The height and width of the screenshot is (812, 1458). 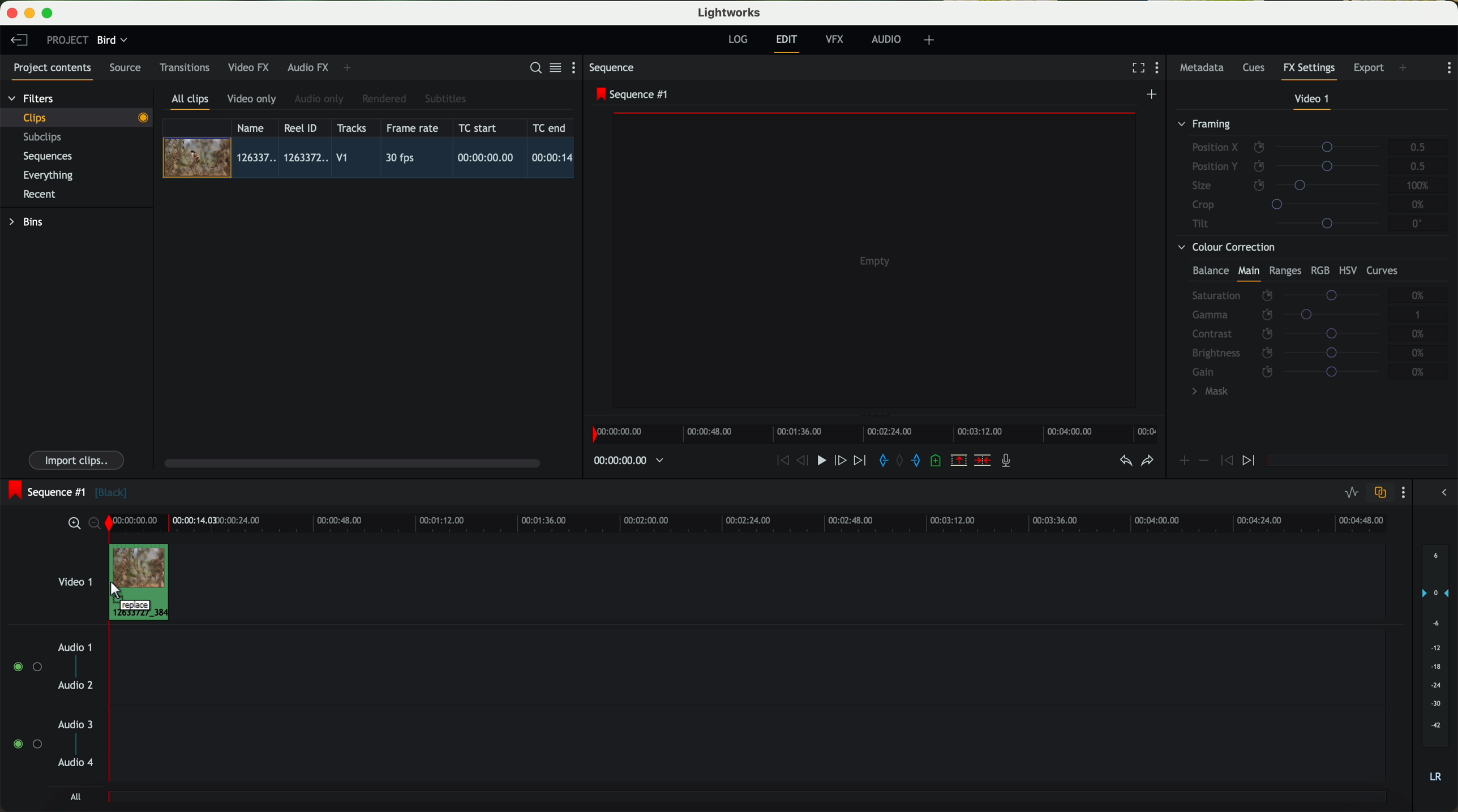 I want to click on 1, so click(x=1418, y=316).